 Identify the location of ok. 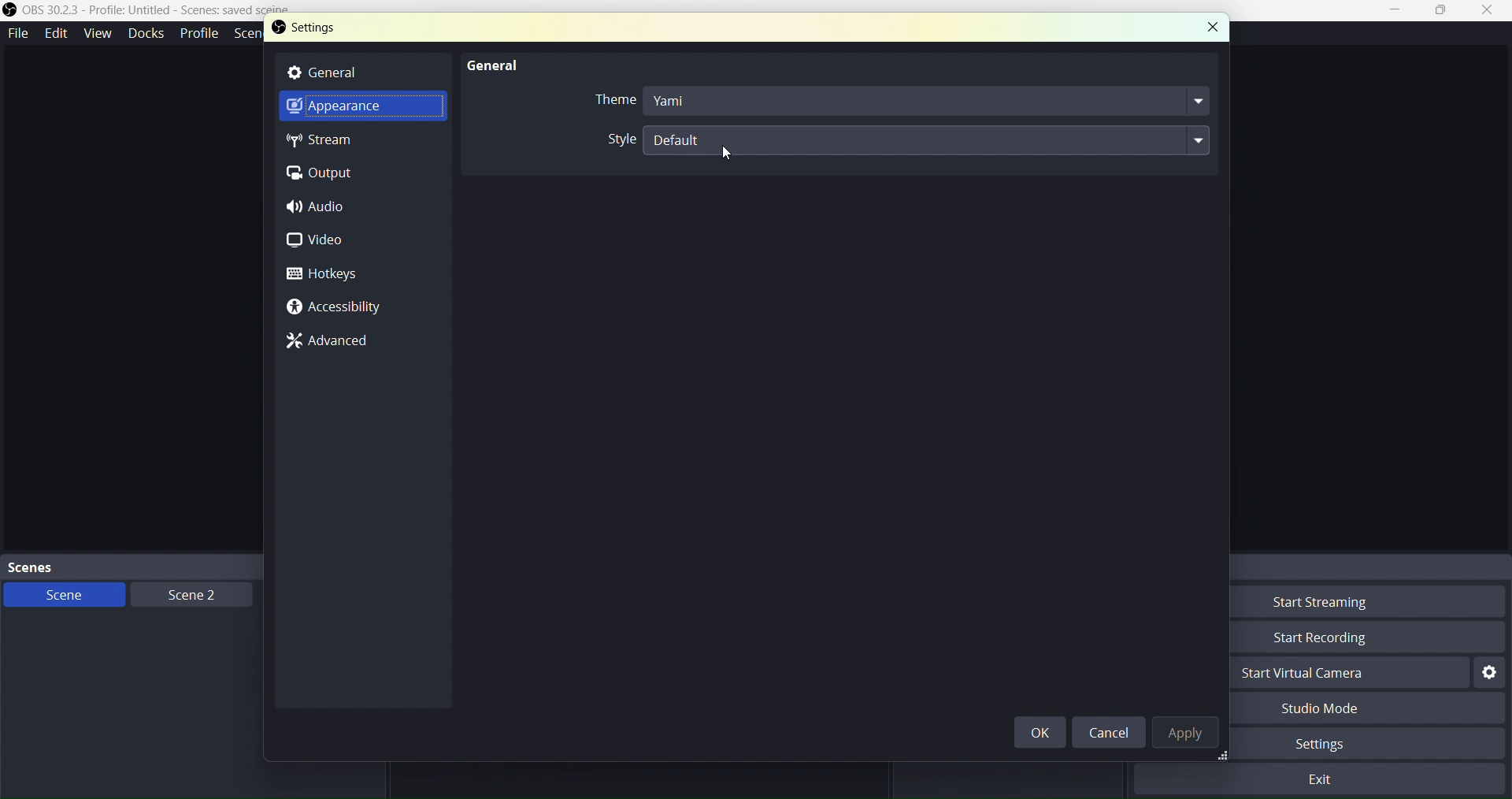
(1044, 732).